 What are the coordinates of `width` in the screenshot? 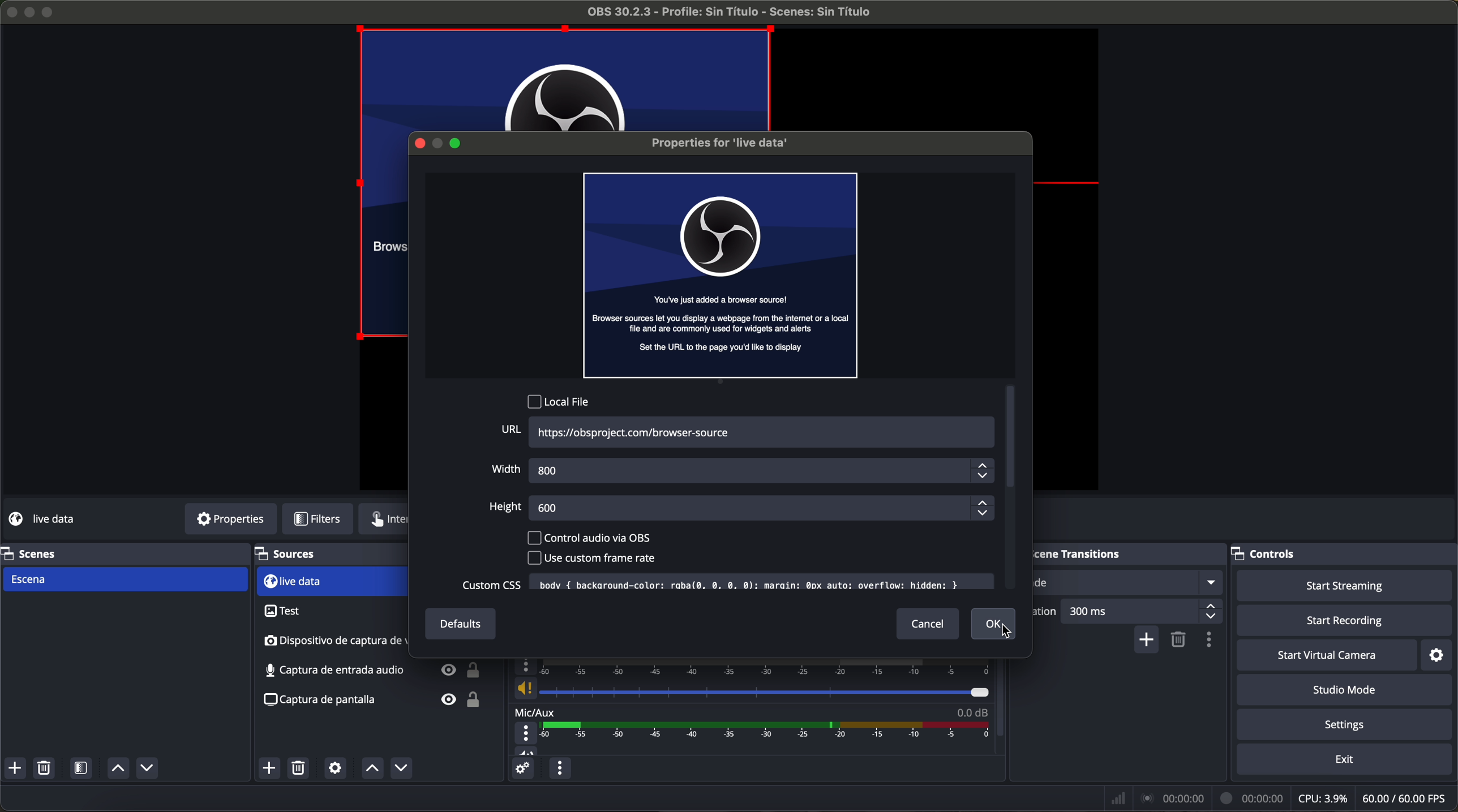 It's located at (505, 470).